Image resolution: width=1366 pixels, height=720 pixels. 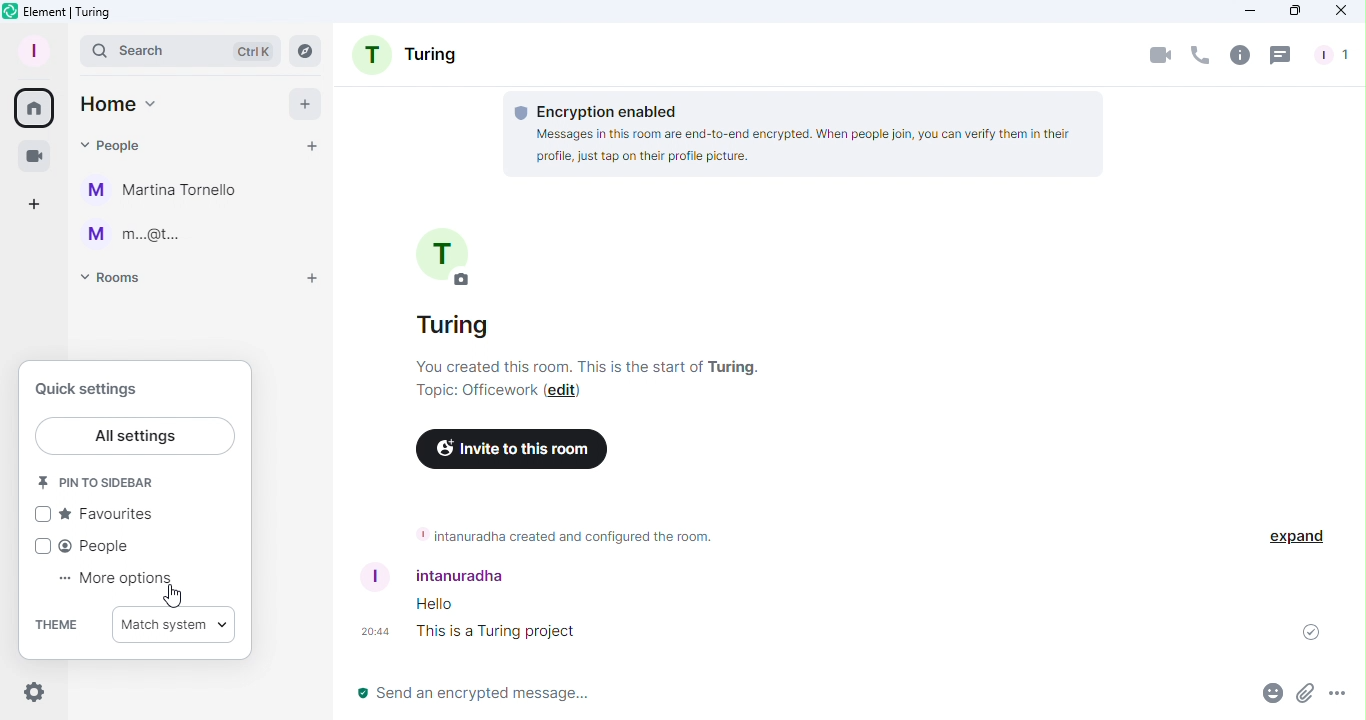 What do you see at coordinates (455, 574) in the screenshot?
I see `Username` at bounding box center [455, 574].